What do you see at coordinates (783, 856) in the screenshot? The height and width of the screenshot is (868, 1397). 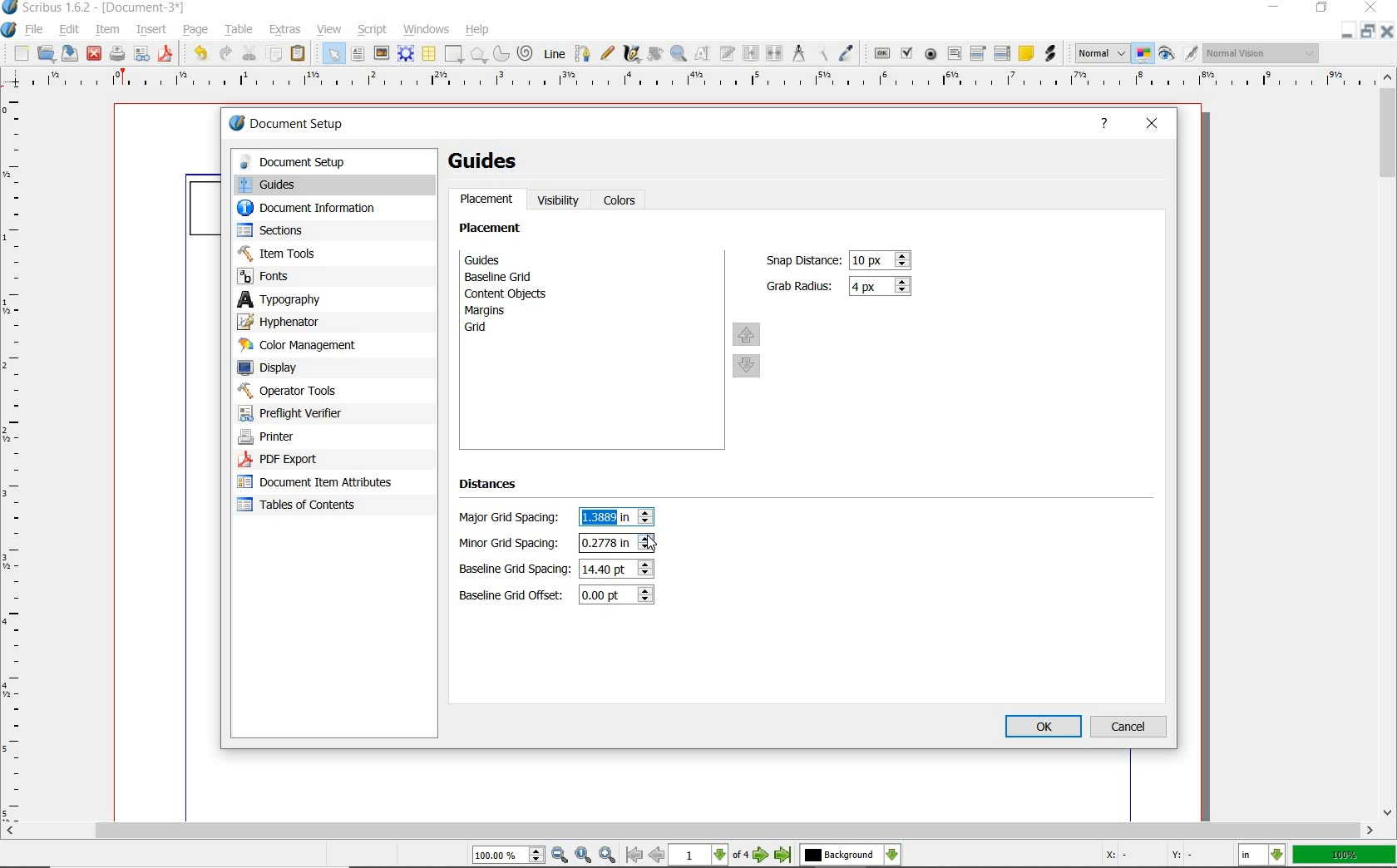 I see `go to last page` at bounding box center [783, 856].